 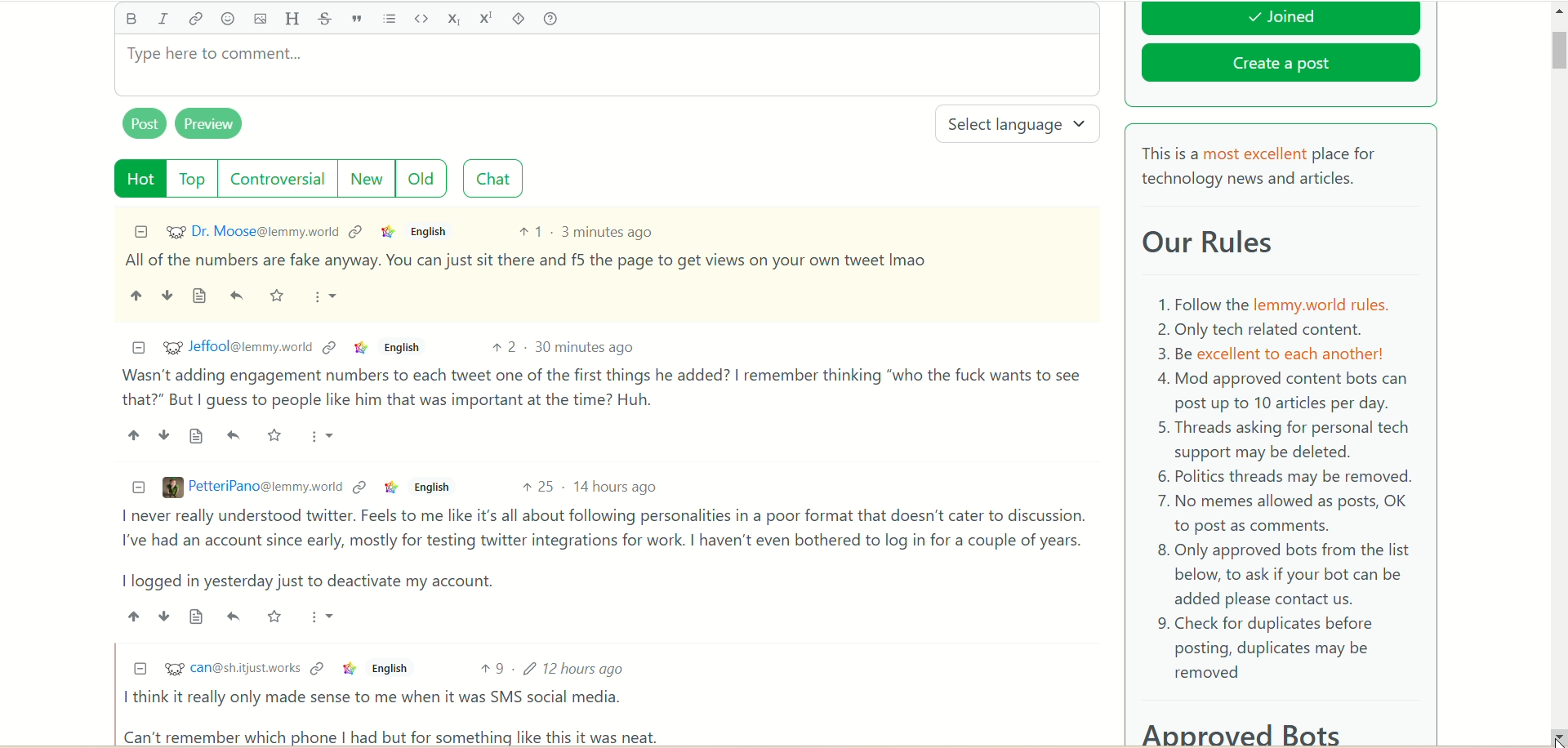 I want to click on controversial, so click(x=278, y=178).